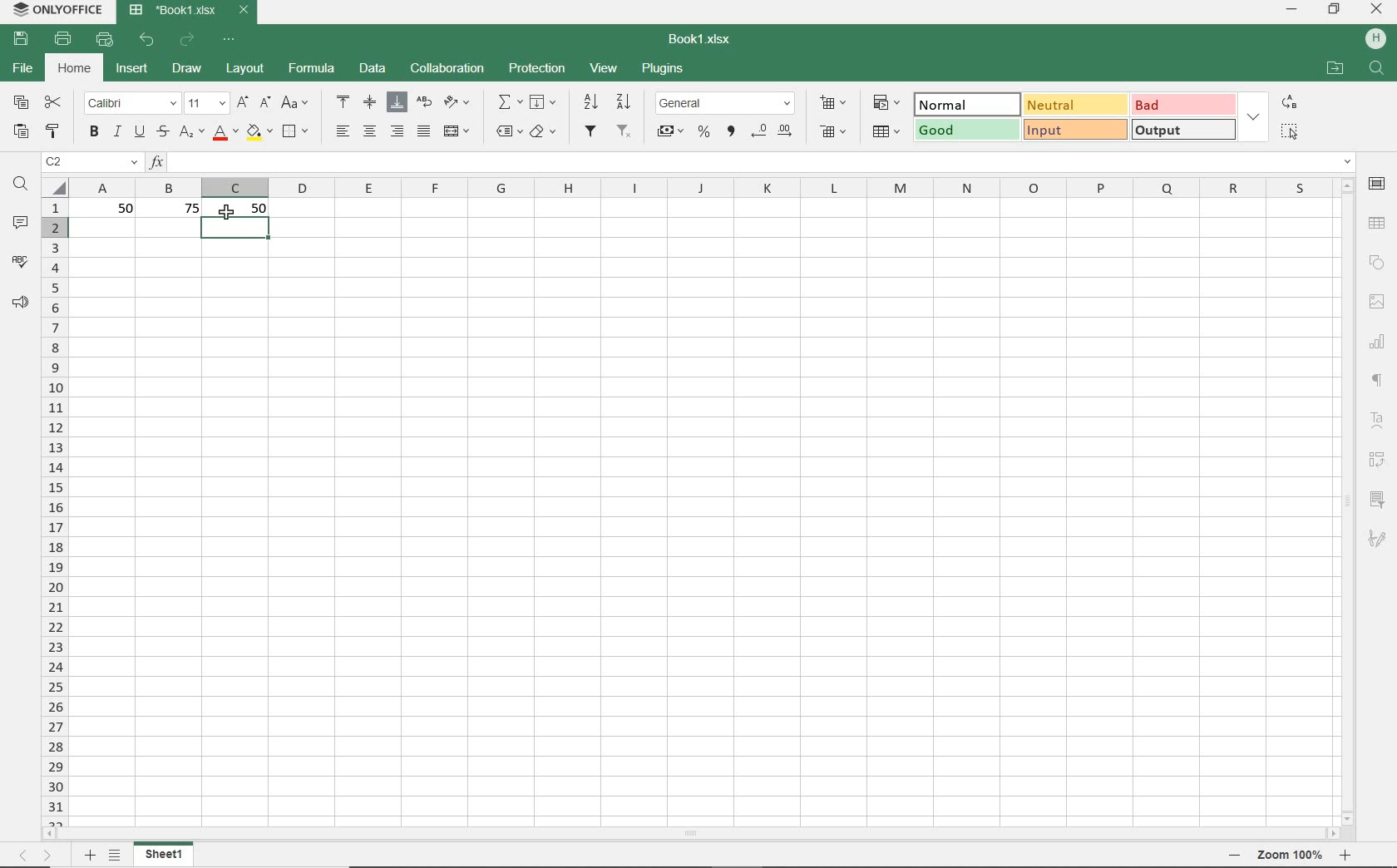  Describe the element at coordinates (694, 835) in the screenshot. I see `scrollbar` at that location.